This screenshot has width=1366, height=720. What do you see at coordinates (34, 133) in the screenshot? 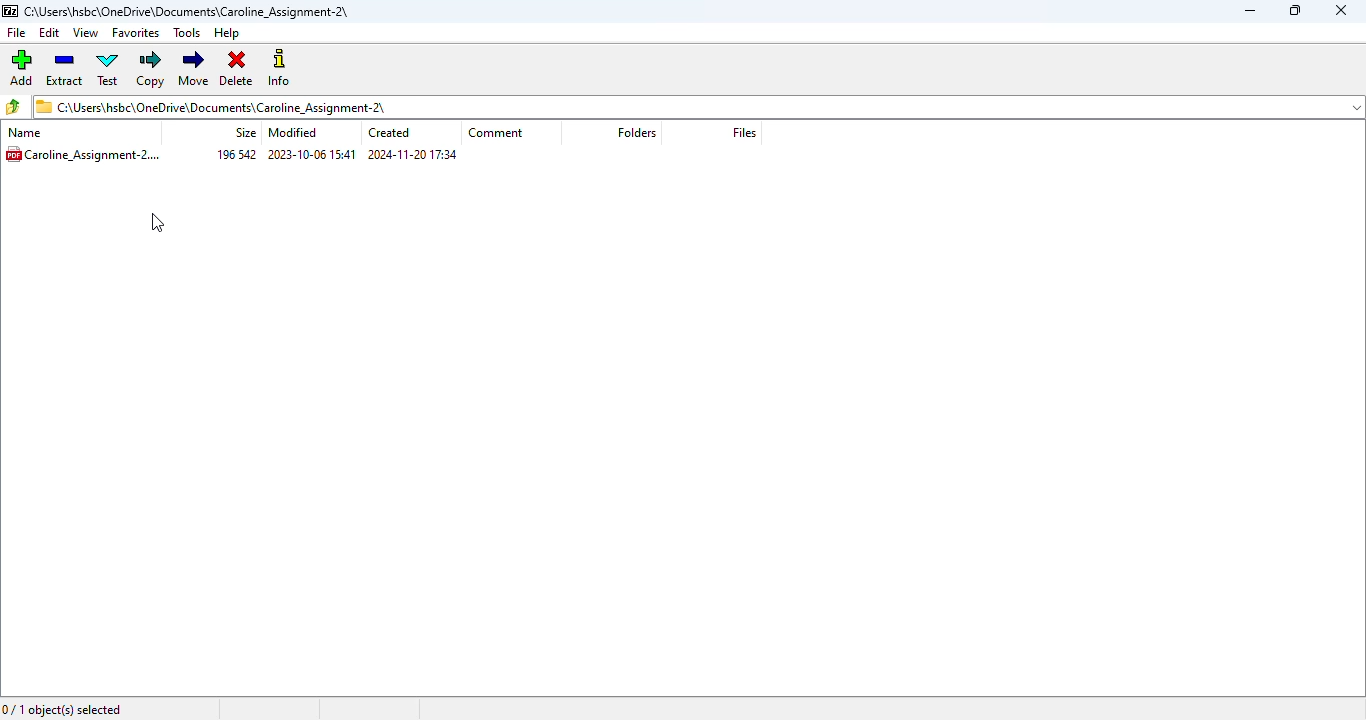
I see `Name` at bounding box center [34, 133].